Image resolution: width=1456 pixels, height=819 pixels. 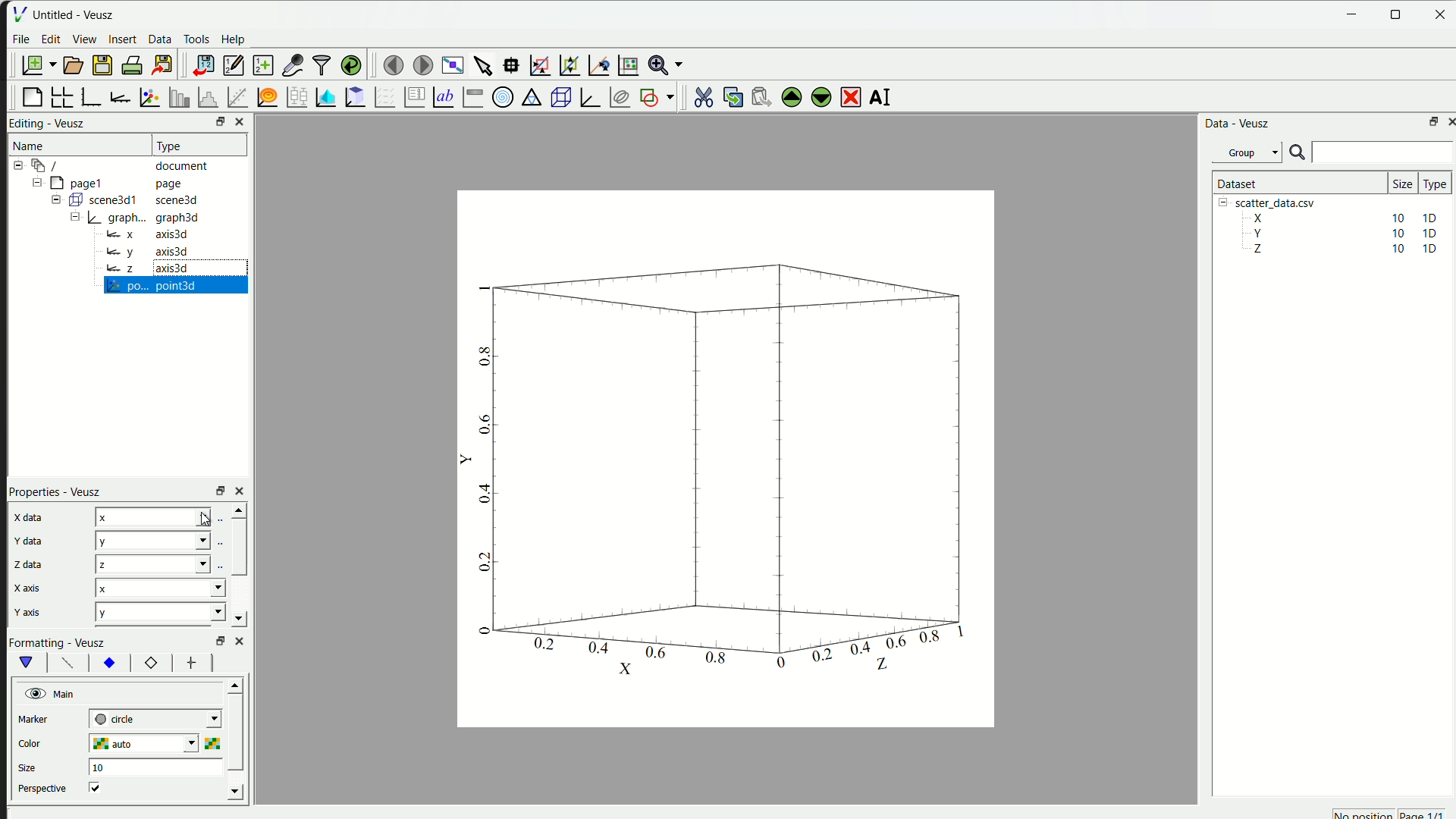 I want to click on | [= scatter_data.csv, so click(x=1272, y=201).